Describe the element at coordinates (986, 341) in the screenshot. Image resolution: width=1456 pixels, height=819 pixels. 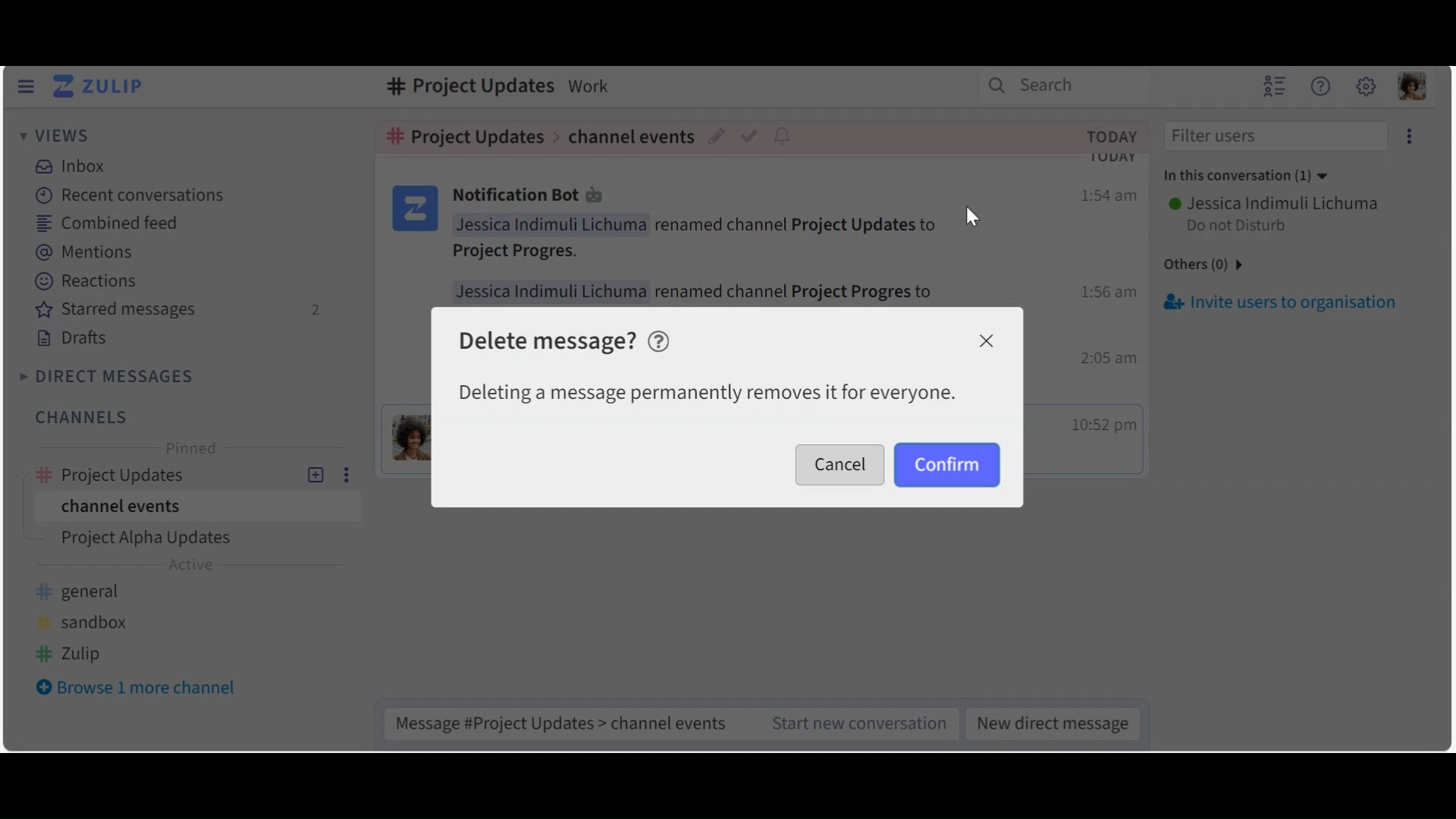
I see `Cancel` at that location.